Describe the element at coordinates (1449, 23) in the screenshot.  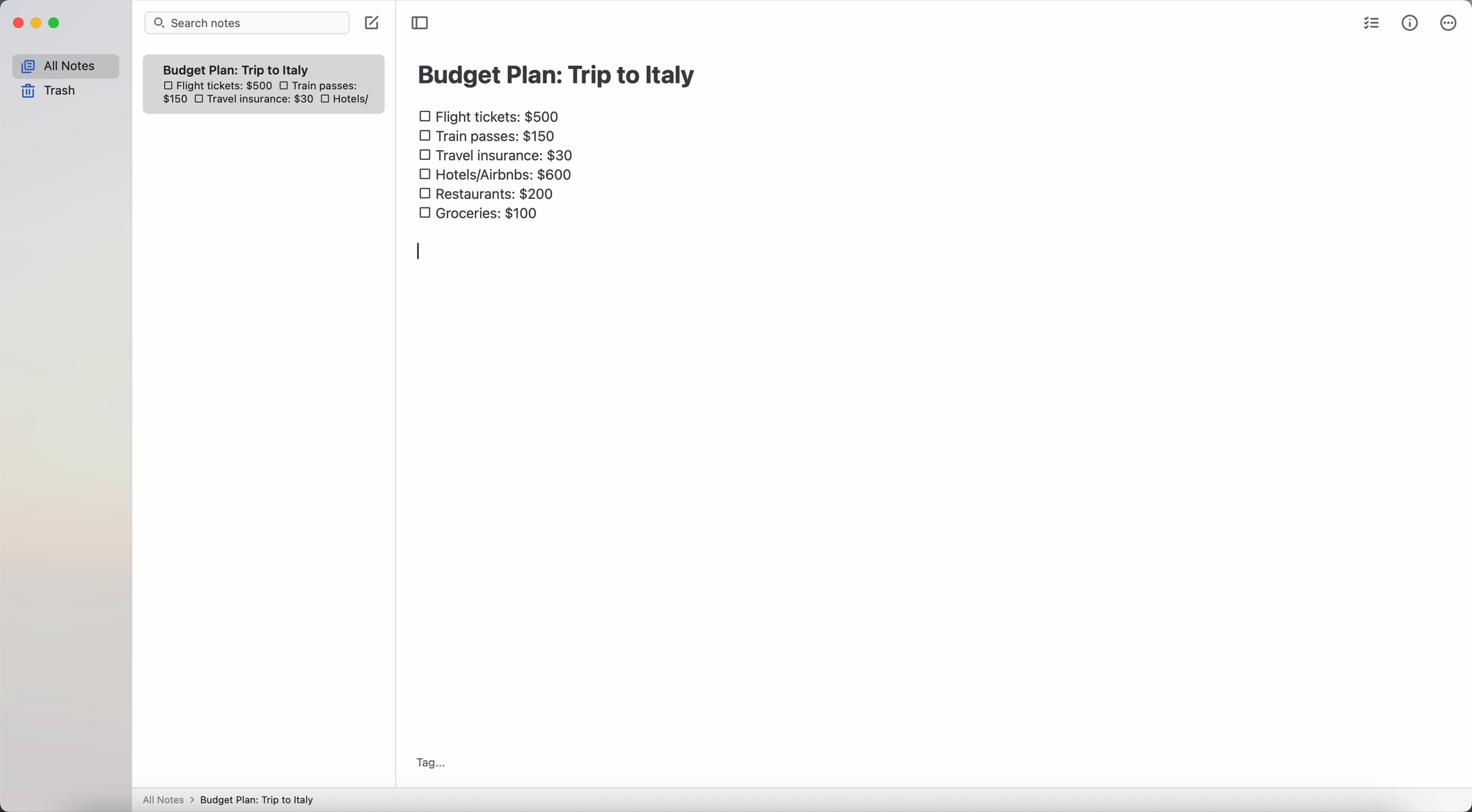
I see `more options` at that location.